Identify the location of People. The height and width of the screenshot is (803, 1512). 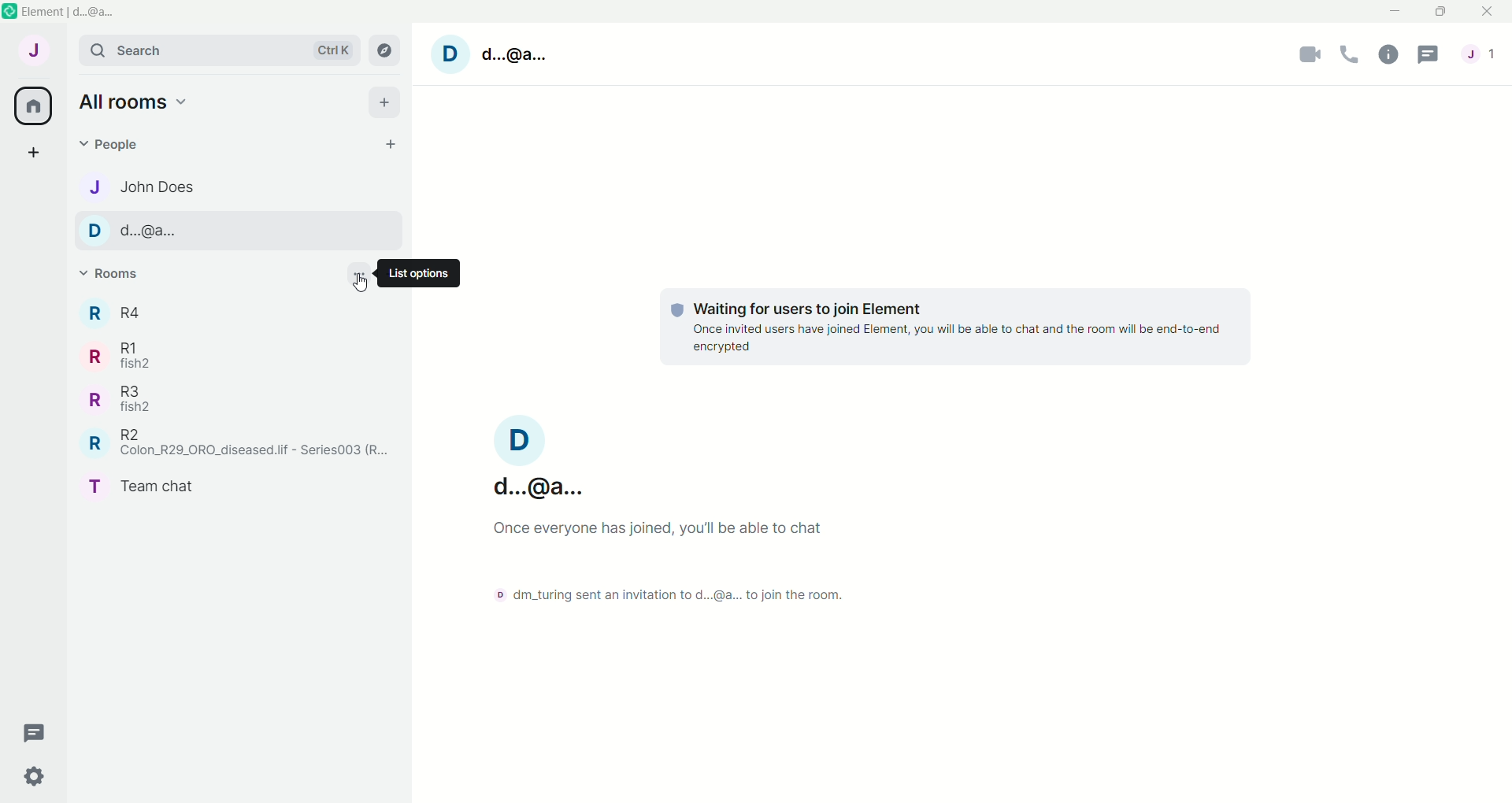
(117, 144).